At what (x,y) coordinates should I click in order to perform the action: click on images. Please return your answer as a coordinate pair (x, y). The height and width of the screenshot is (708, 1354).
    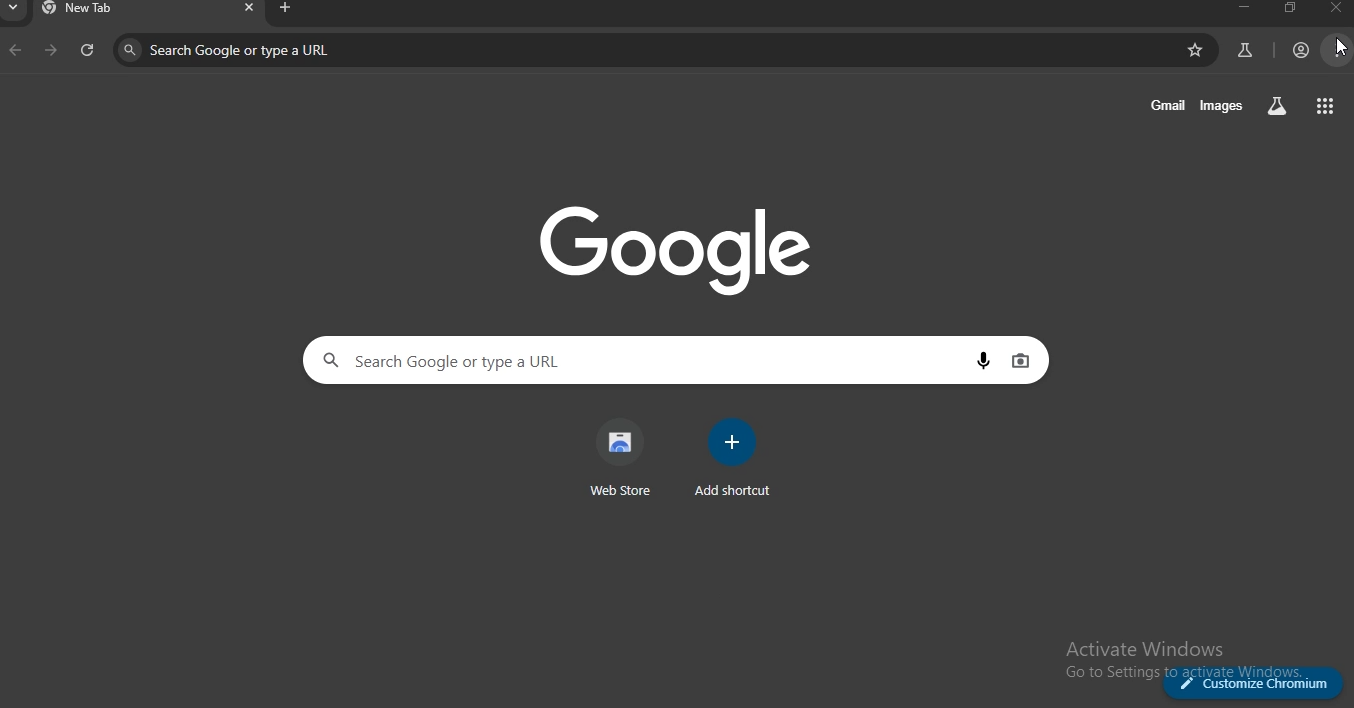
    Looking at the image, I should click on (1220, 107).